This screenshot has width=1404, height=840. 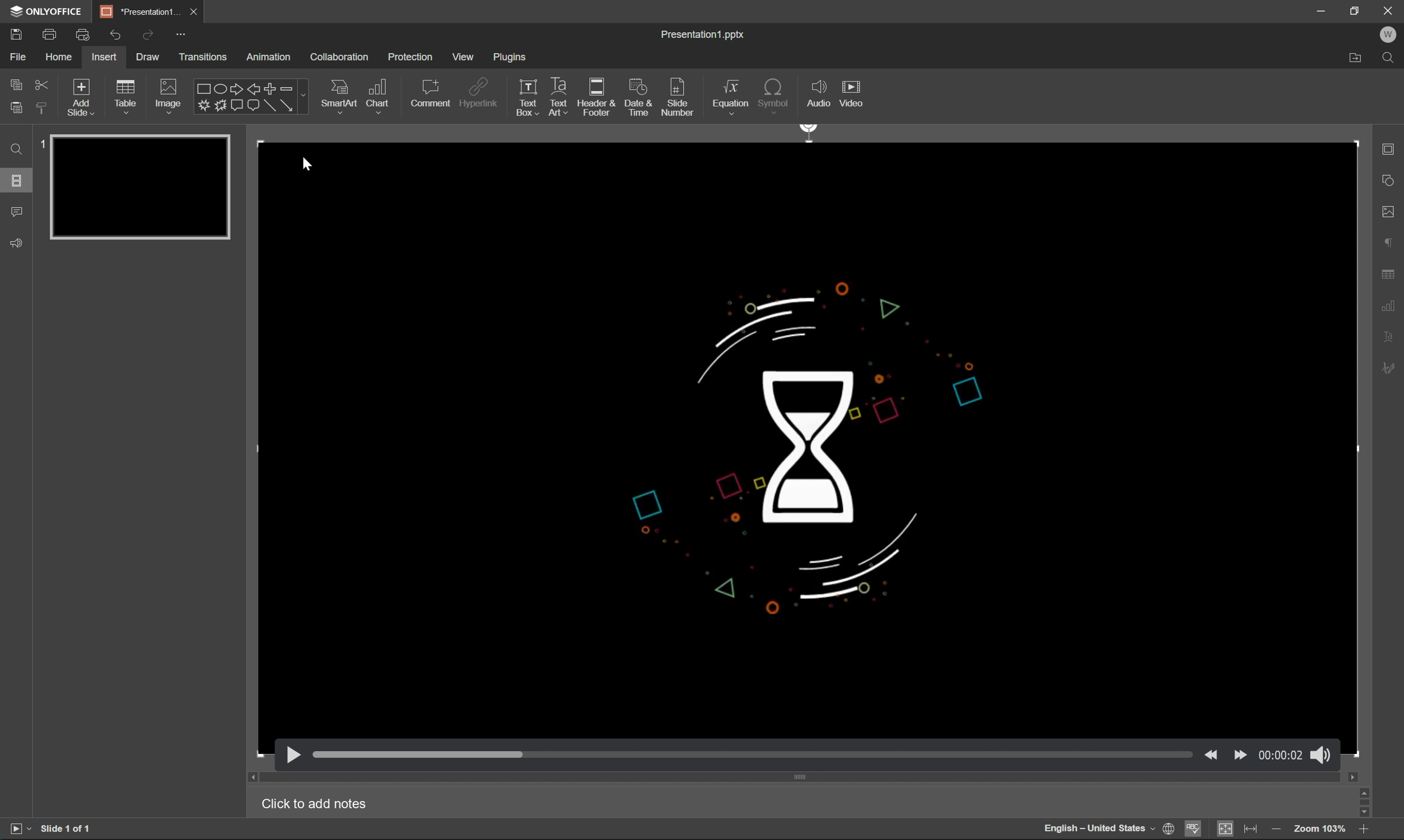 What do you see at coordinates (528, 97) in the screenshot?
I see `text box` at bounding box center [528, 97].